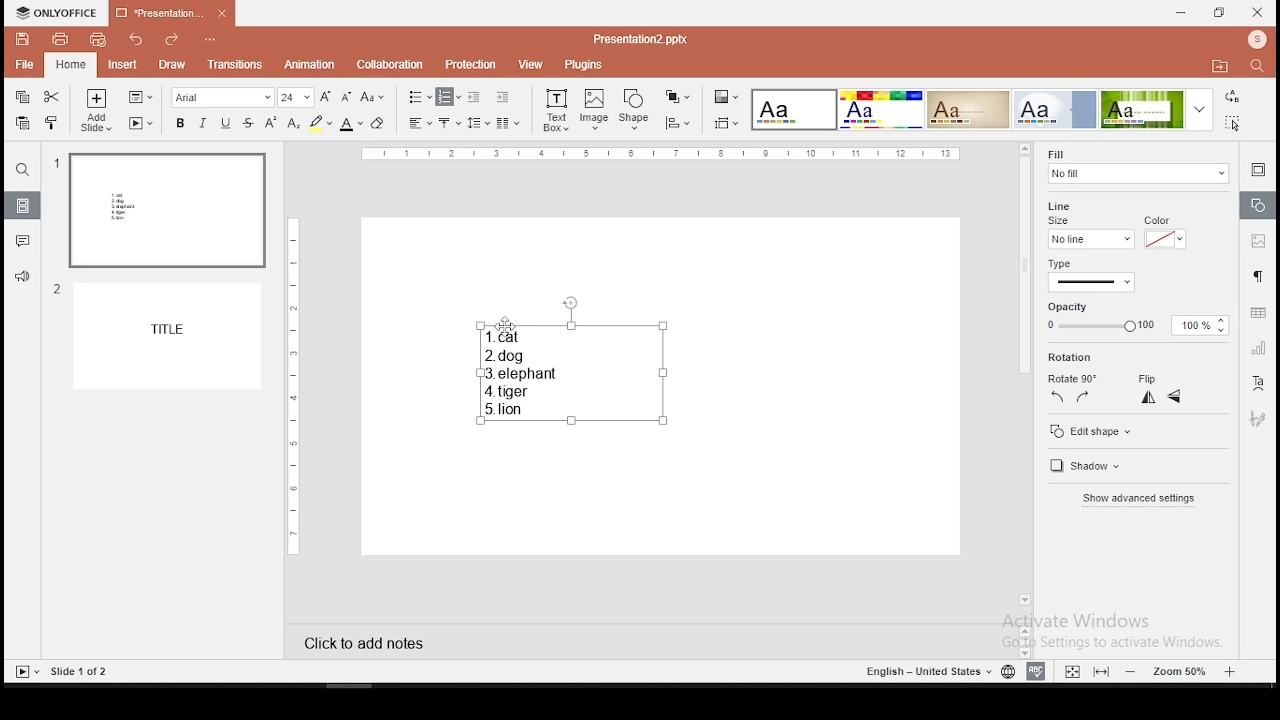 The height and width of the screenshot is (720, 1280). Describe the element at coordinates (1258, 240) in the screenshot. I see `image settings` at that location.